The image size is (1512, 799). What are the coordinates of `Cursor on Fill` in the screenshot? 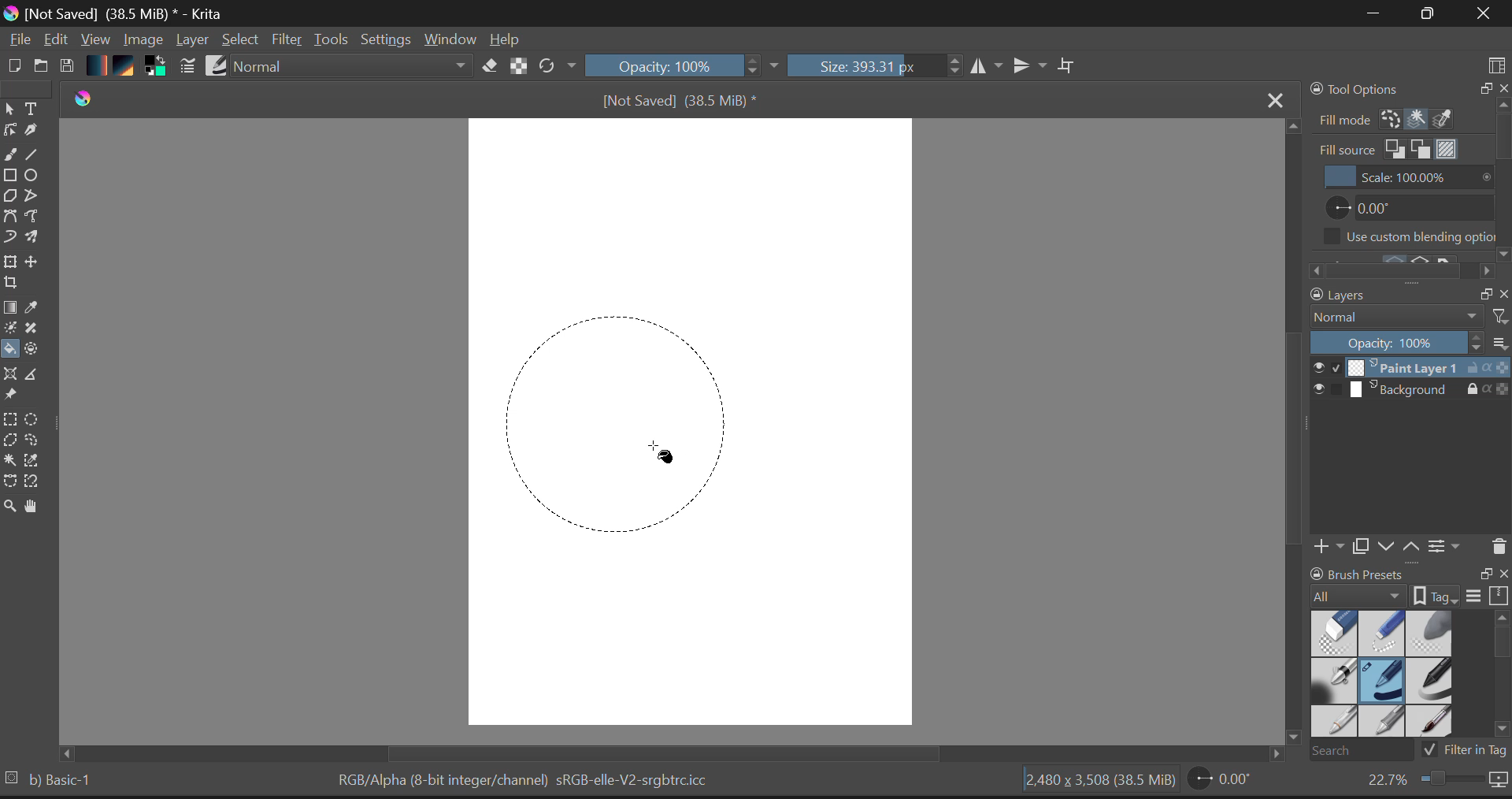 It's located at (14, 350).